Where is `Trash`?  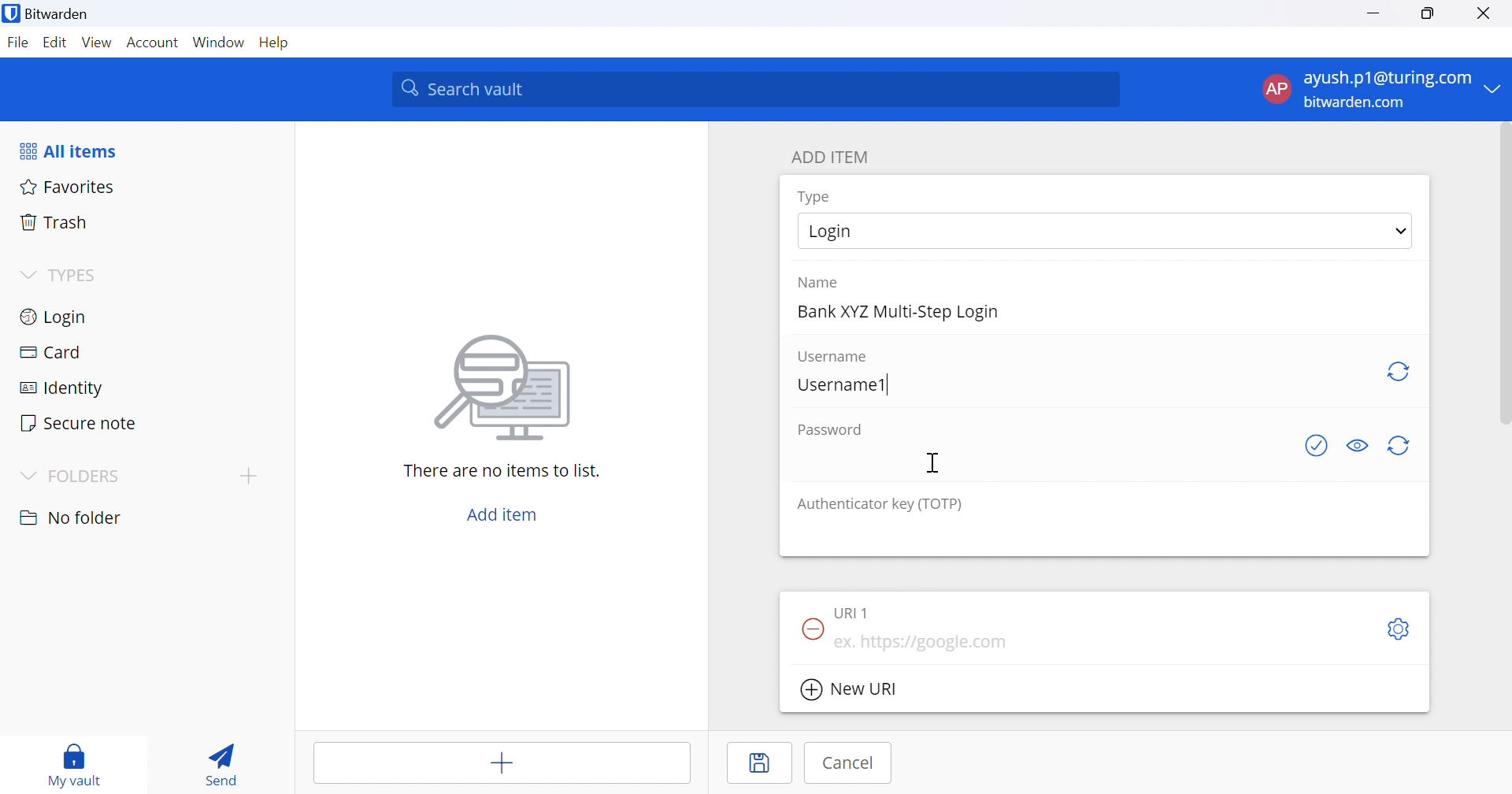 Trash is located at coordinates (54, 221).